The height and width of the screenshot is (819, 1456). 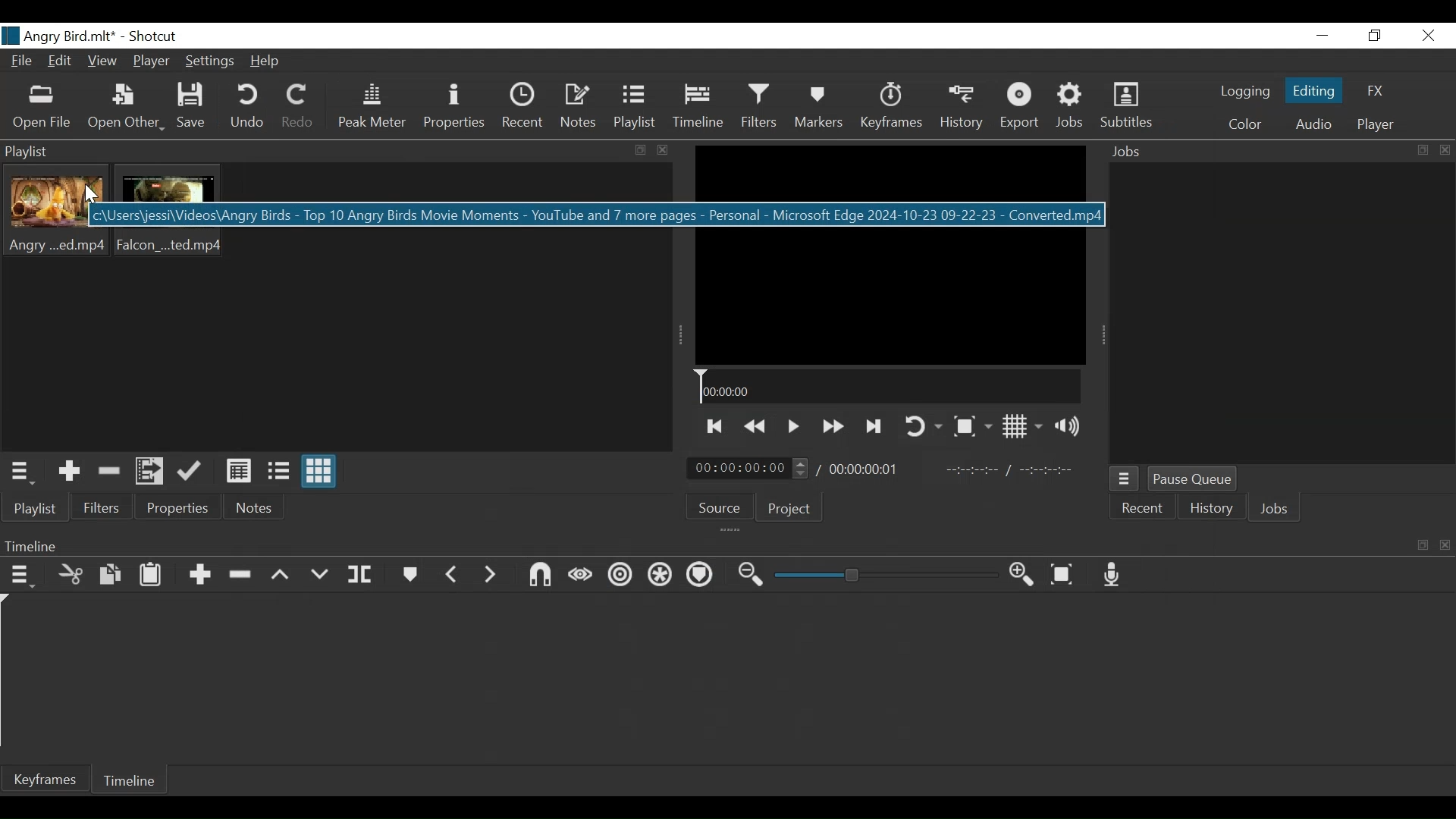 What do you see at coordinates (131, 779) in the screenshot?
I see `Timeline` at bounding box center [131, 779].